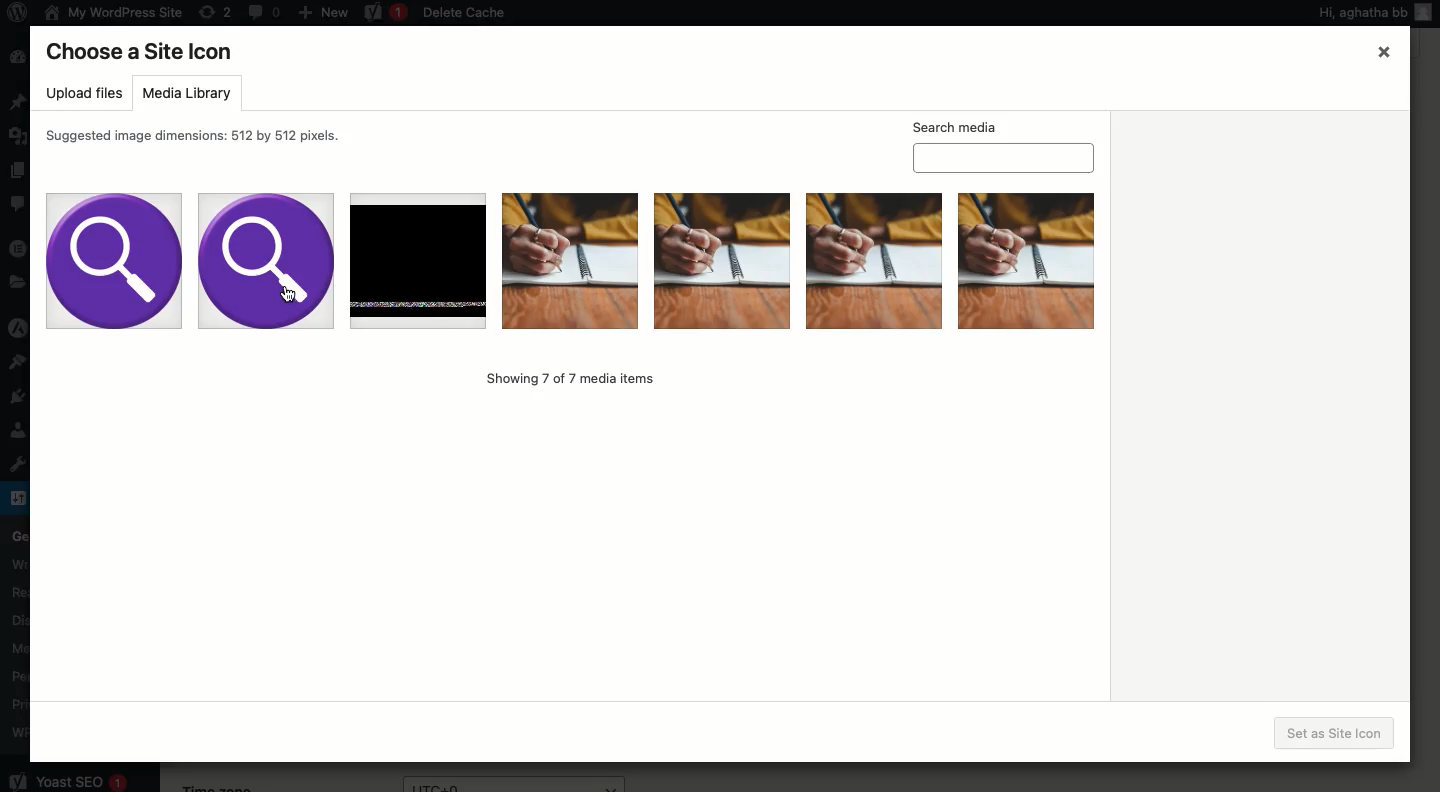 Image resolution: width=1440 pixels, height=792 pixels. I want to click on Showing 7 of 7 media items, so click(570, 377).